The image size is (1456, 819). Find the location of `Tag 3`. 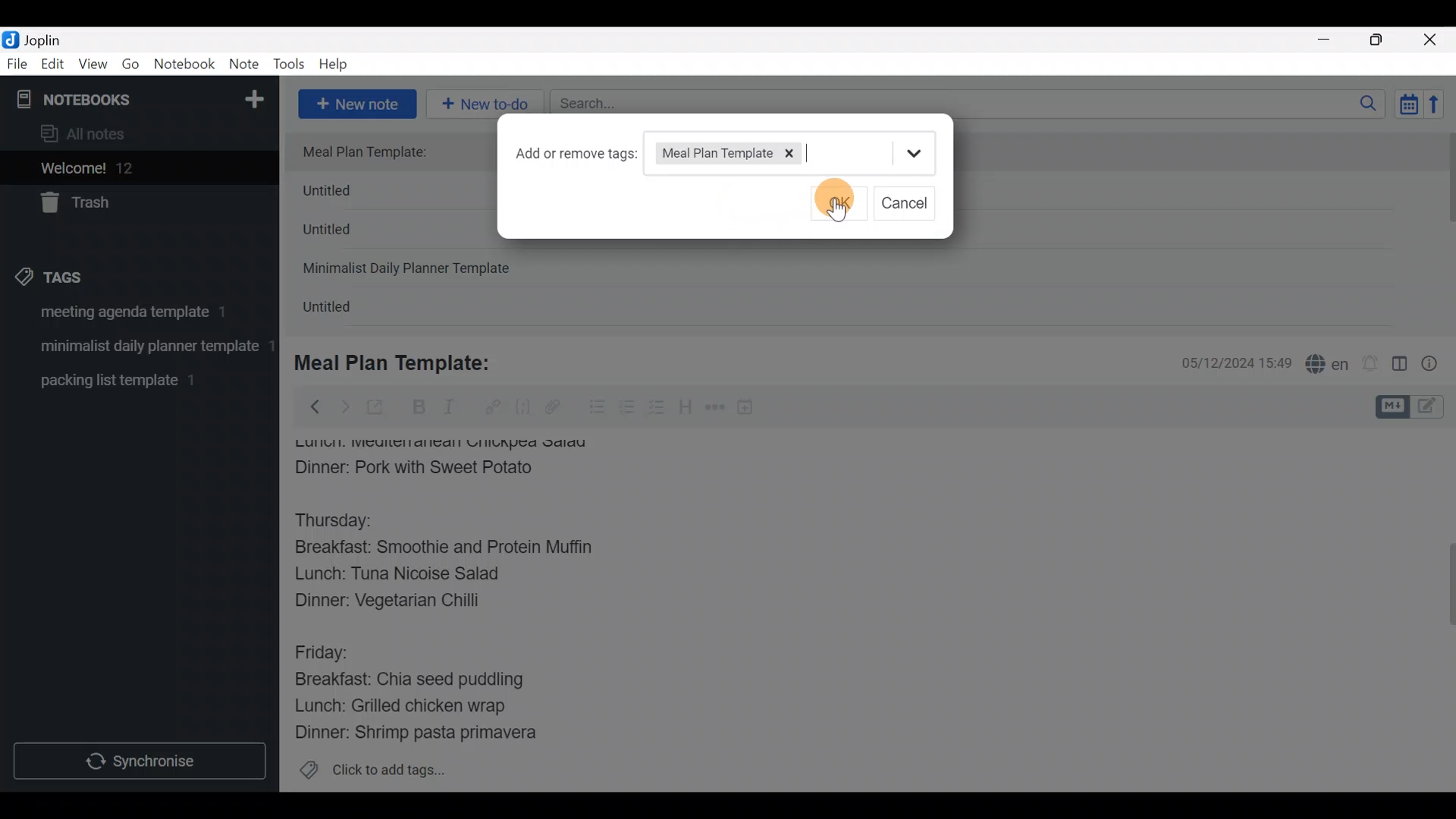

Tag 3 is located at coordinates (134, 380).